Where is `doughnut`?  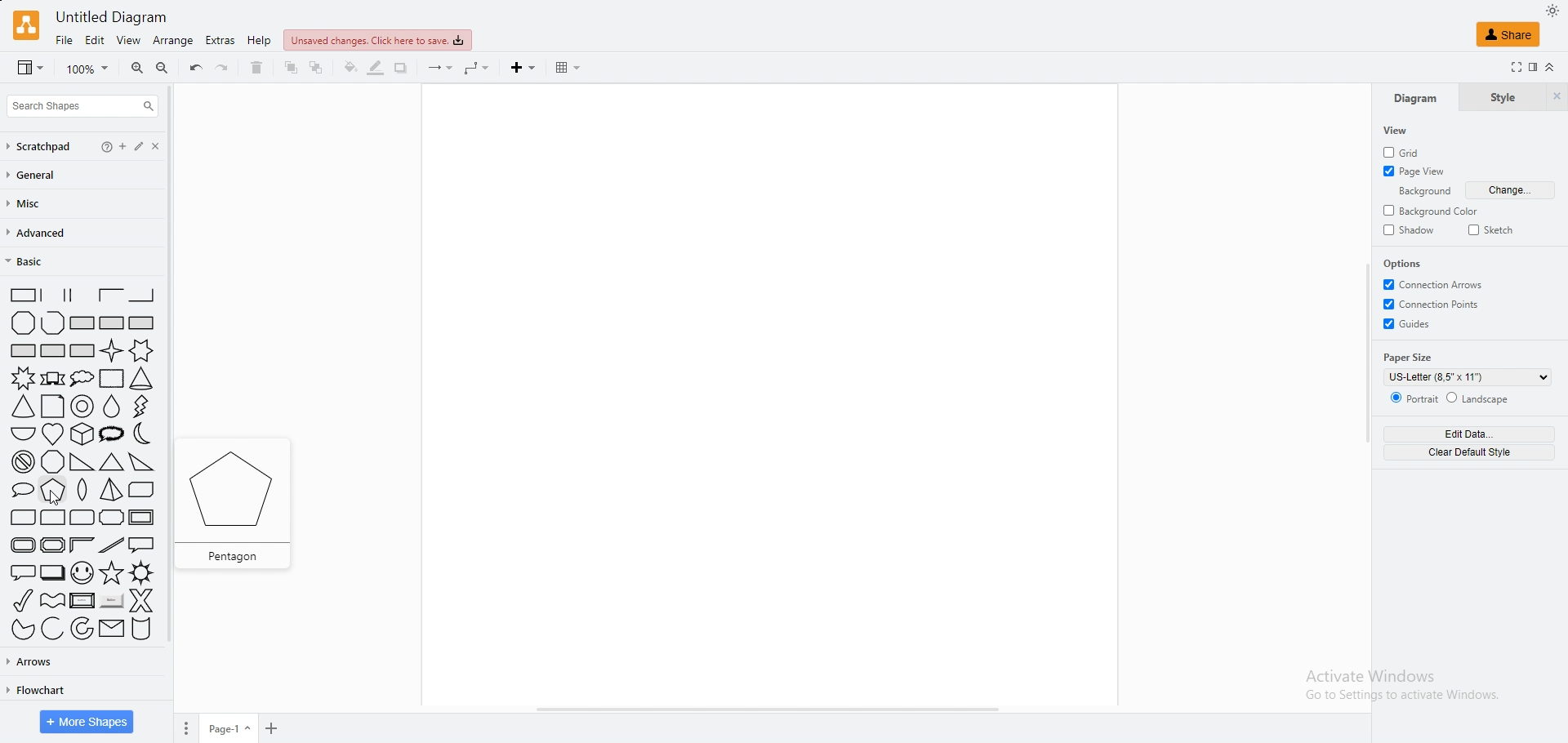
doughnut is located at coordinates (83, 407).